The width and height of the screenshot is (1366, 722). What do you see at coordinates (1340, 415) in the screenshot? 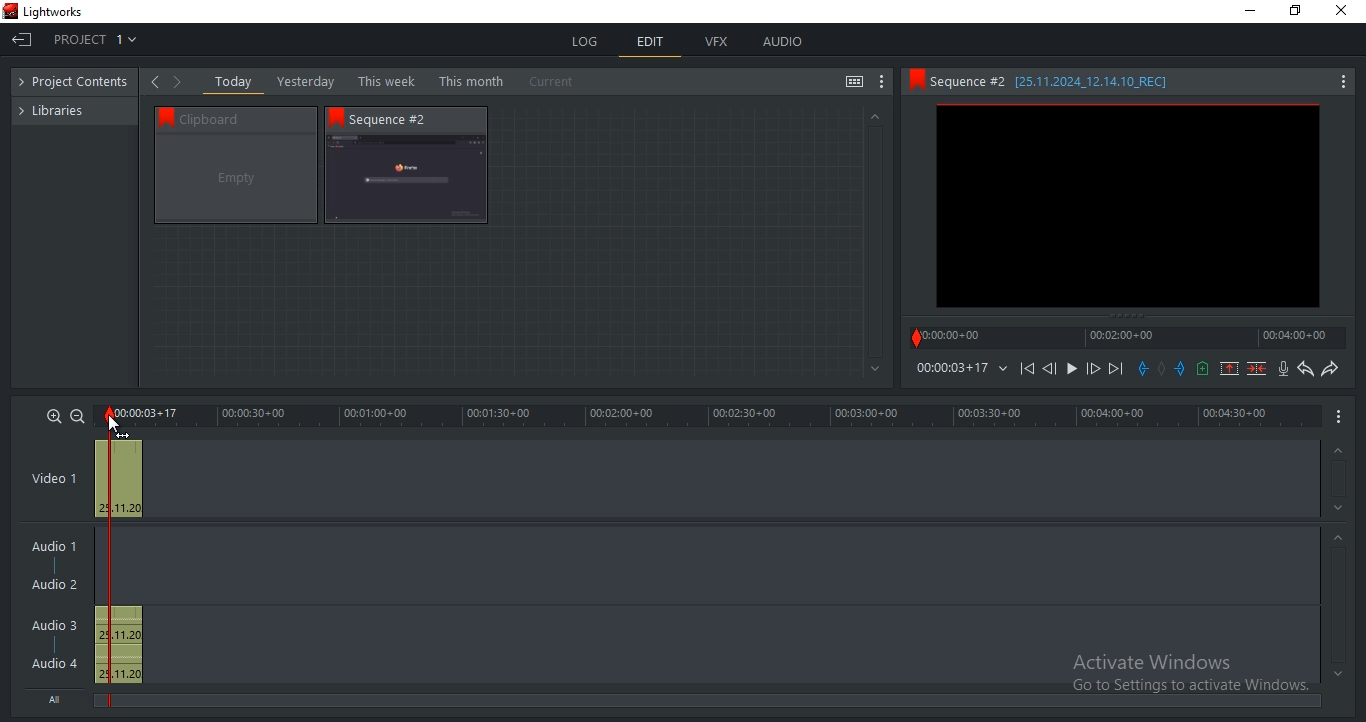
I see `show menu` at bounding box center [1340, 415].